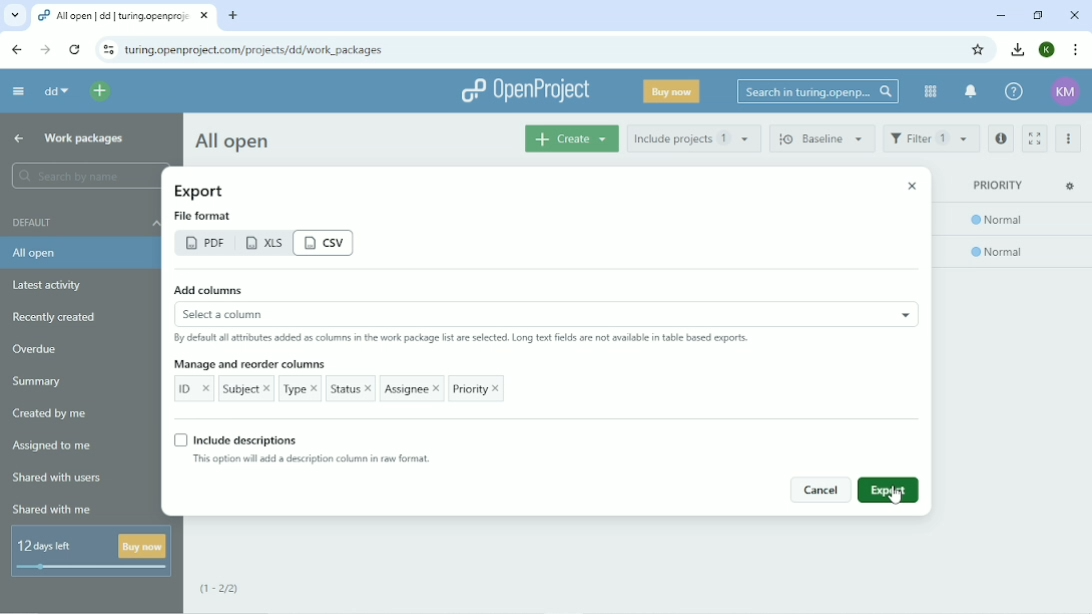 The height and width of the screenshot is (614, 1092). Describe the element at coordinates (15, 17) in the screenshot. I see `Search tabs` at that location.